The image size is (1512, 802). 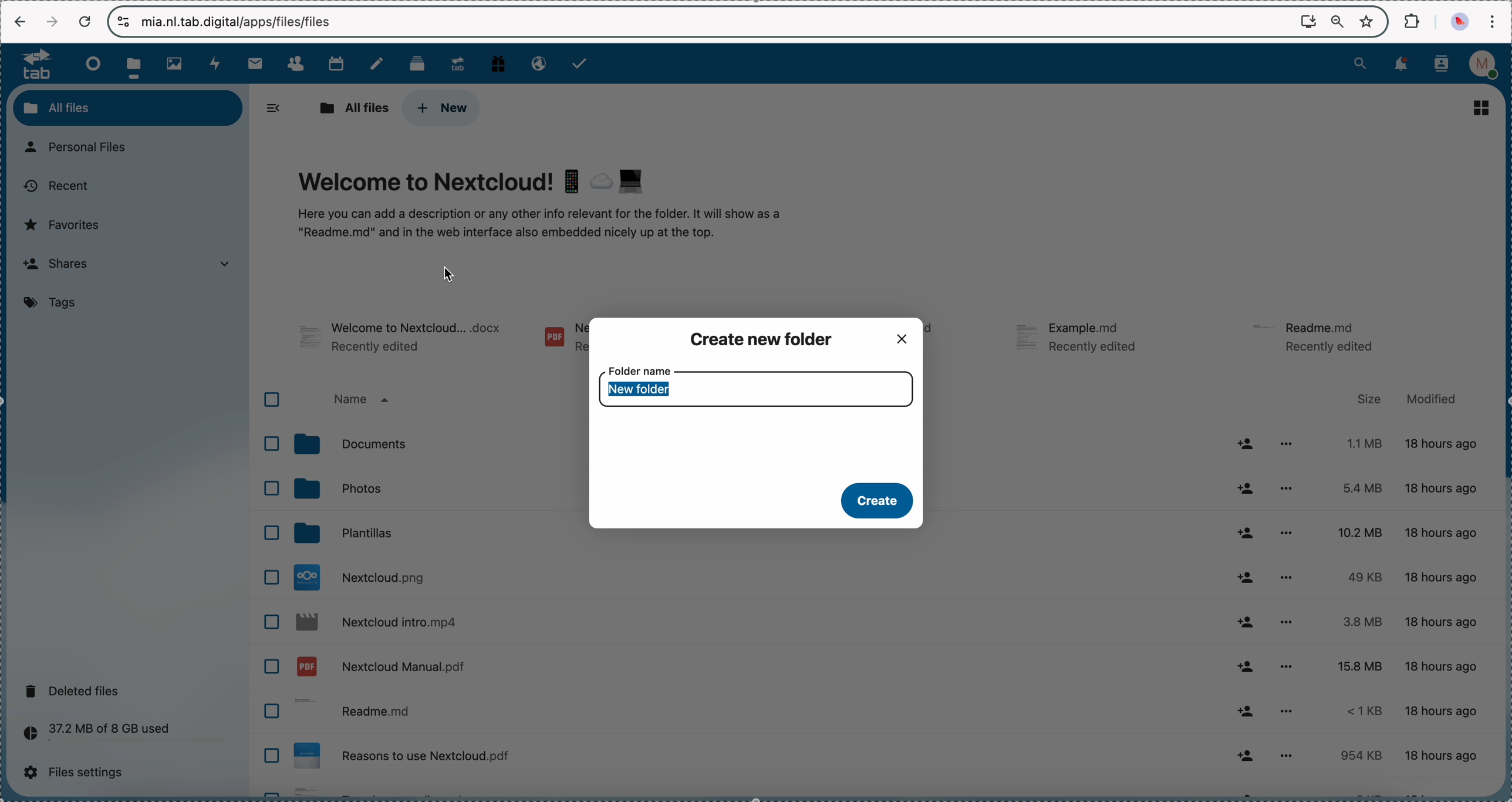 I want to click on contacts, so click(x=295, y=64).